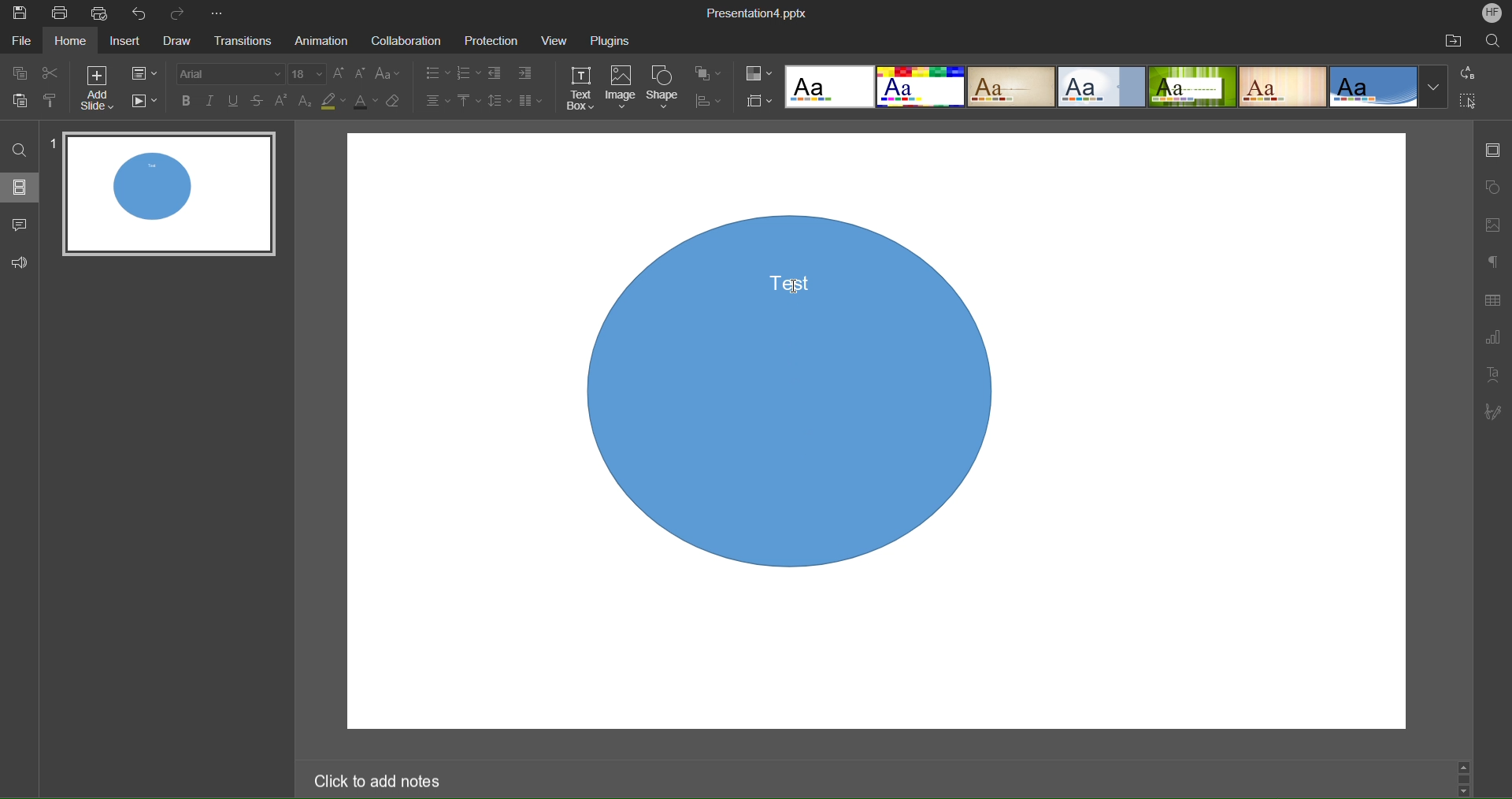 This screenshot has height=799, width=1512. What do you see at coordinates (440, 101) in the screenshot?
I see `Alignment` at bounding box center [440, 101].